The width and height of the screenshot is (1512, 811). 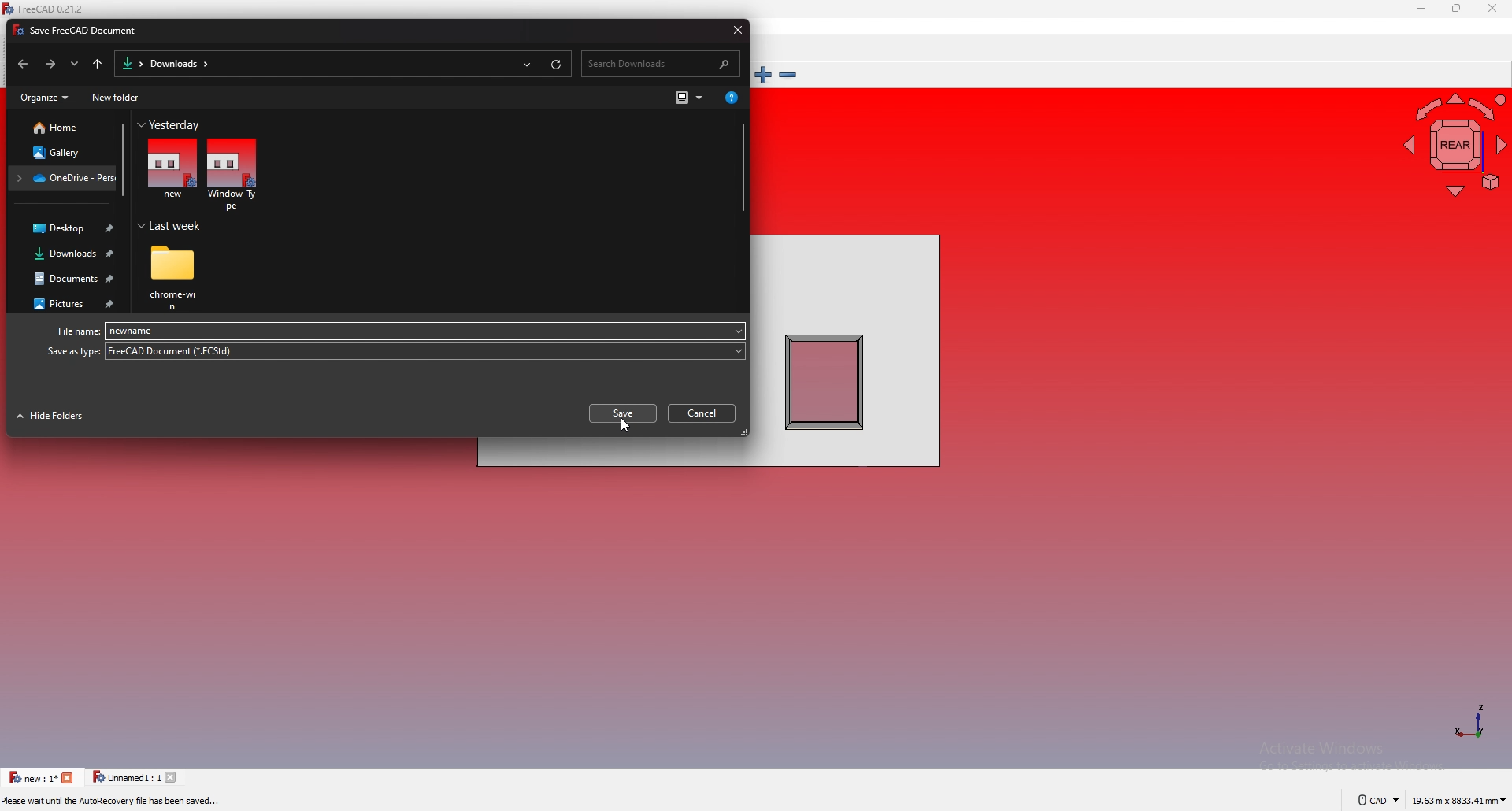 What do you see at coordinates (67, 254) in the screenshot?
I see `downloads` at bounding box center [67, 254].